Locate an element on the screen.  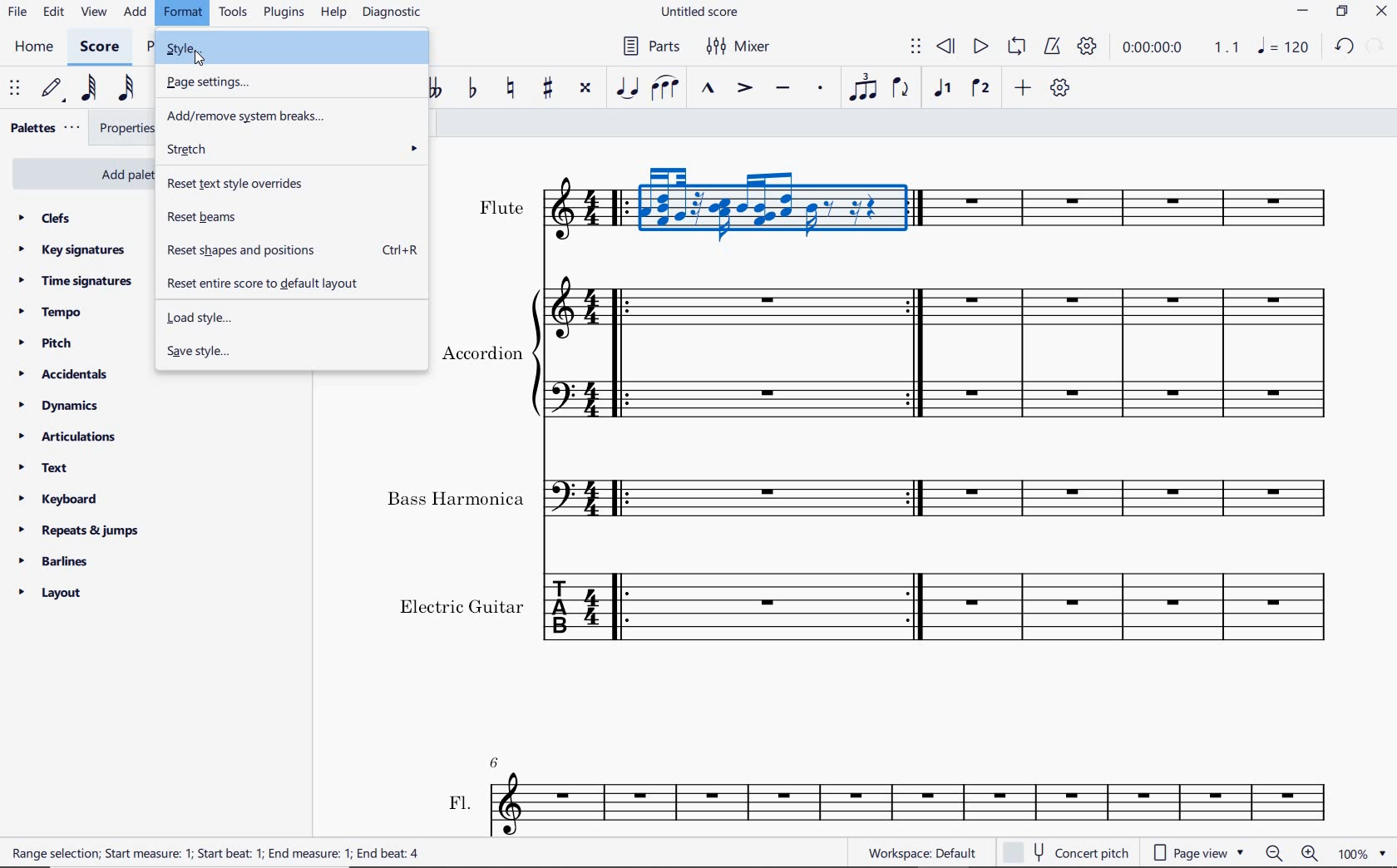
file is located at coordinates (18, 12).